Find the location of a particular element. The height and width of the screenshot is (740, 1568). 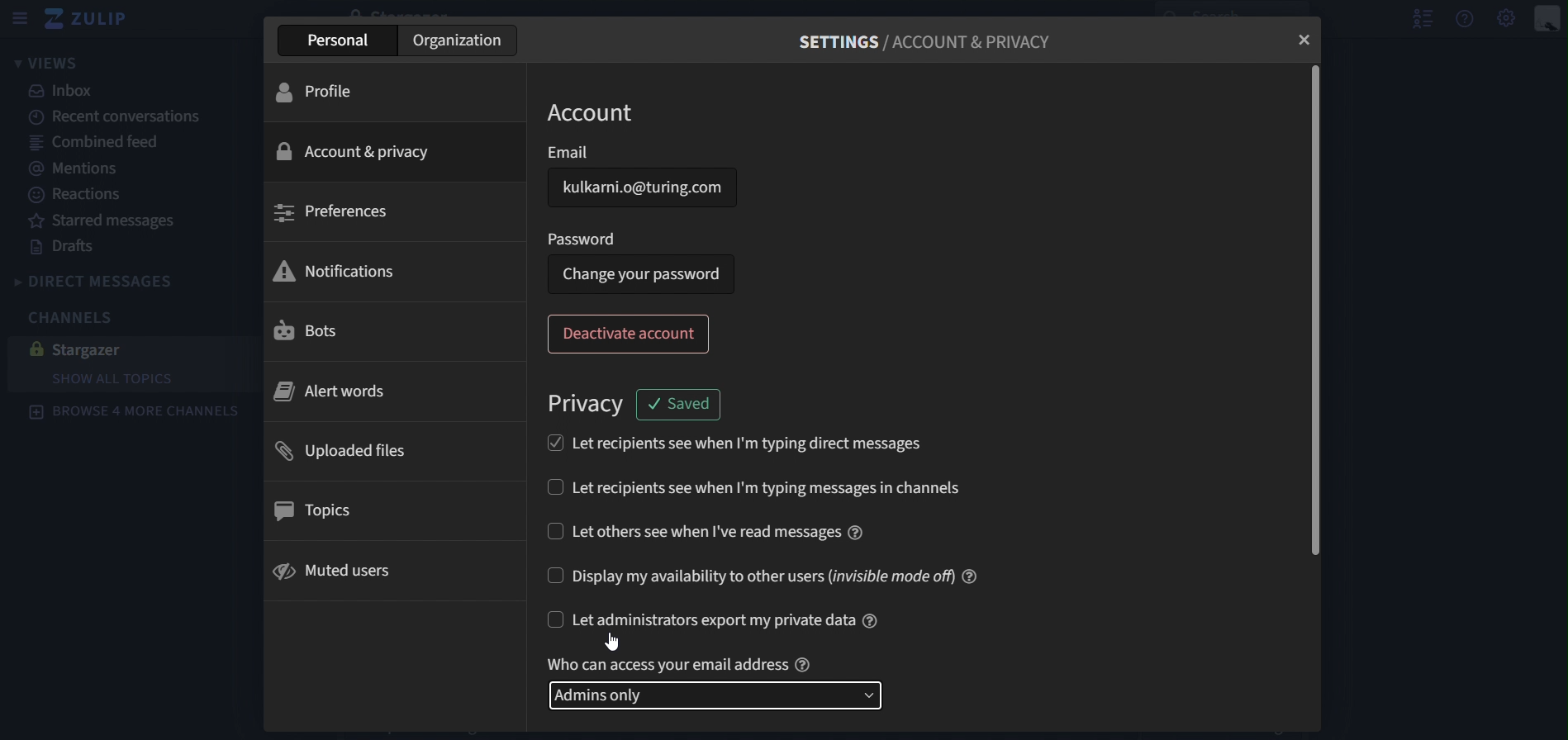

topics is located at coordinates (325, 512).